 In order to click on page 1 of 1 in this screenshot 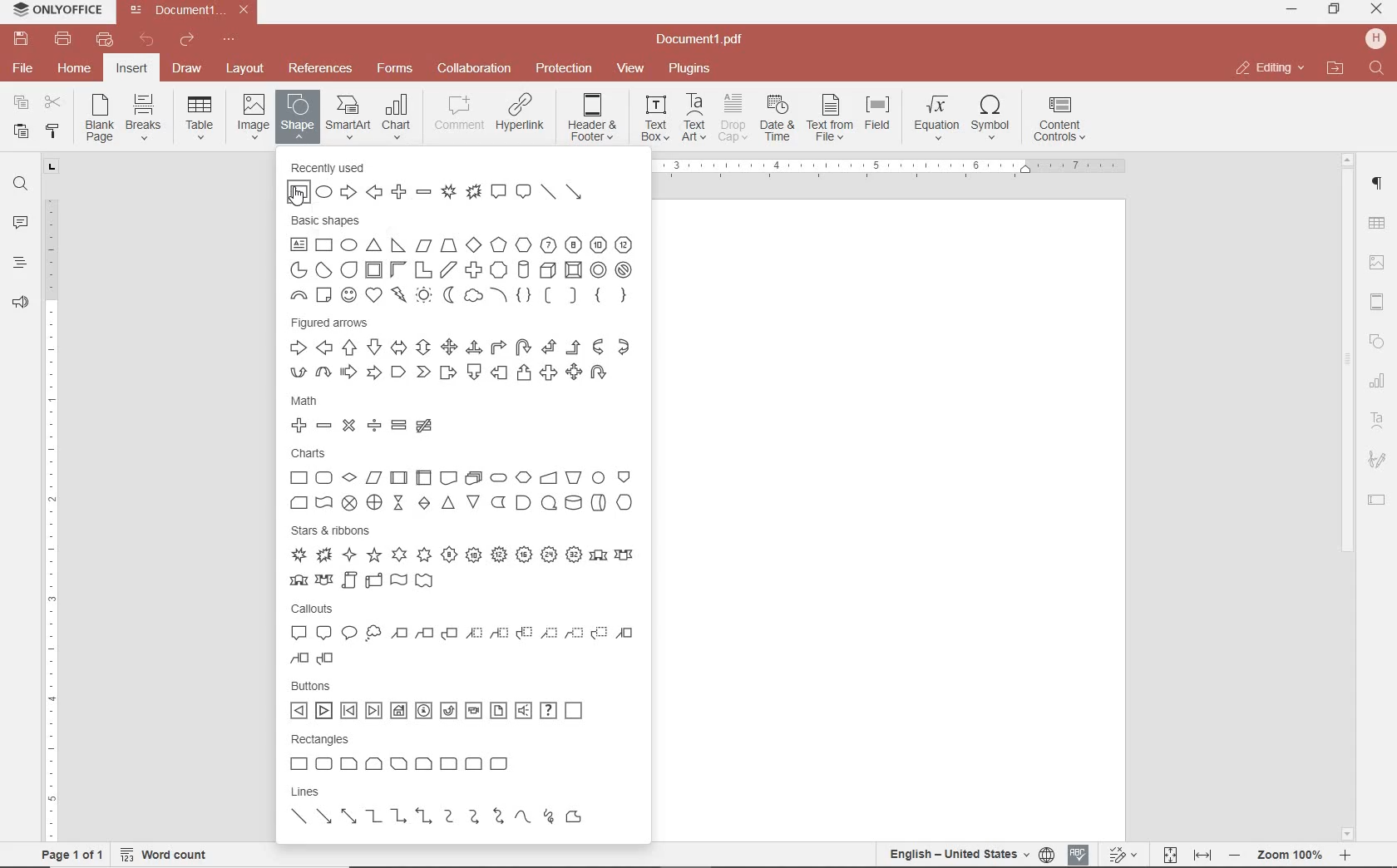, I will do `click(69, 853)`.